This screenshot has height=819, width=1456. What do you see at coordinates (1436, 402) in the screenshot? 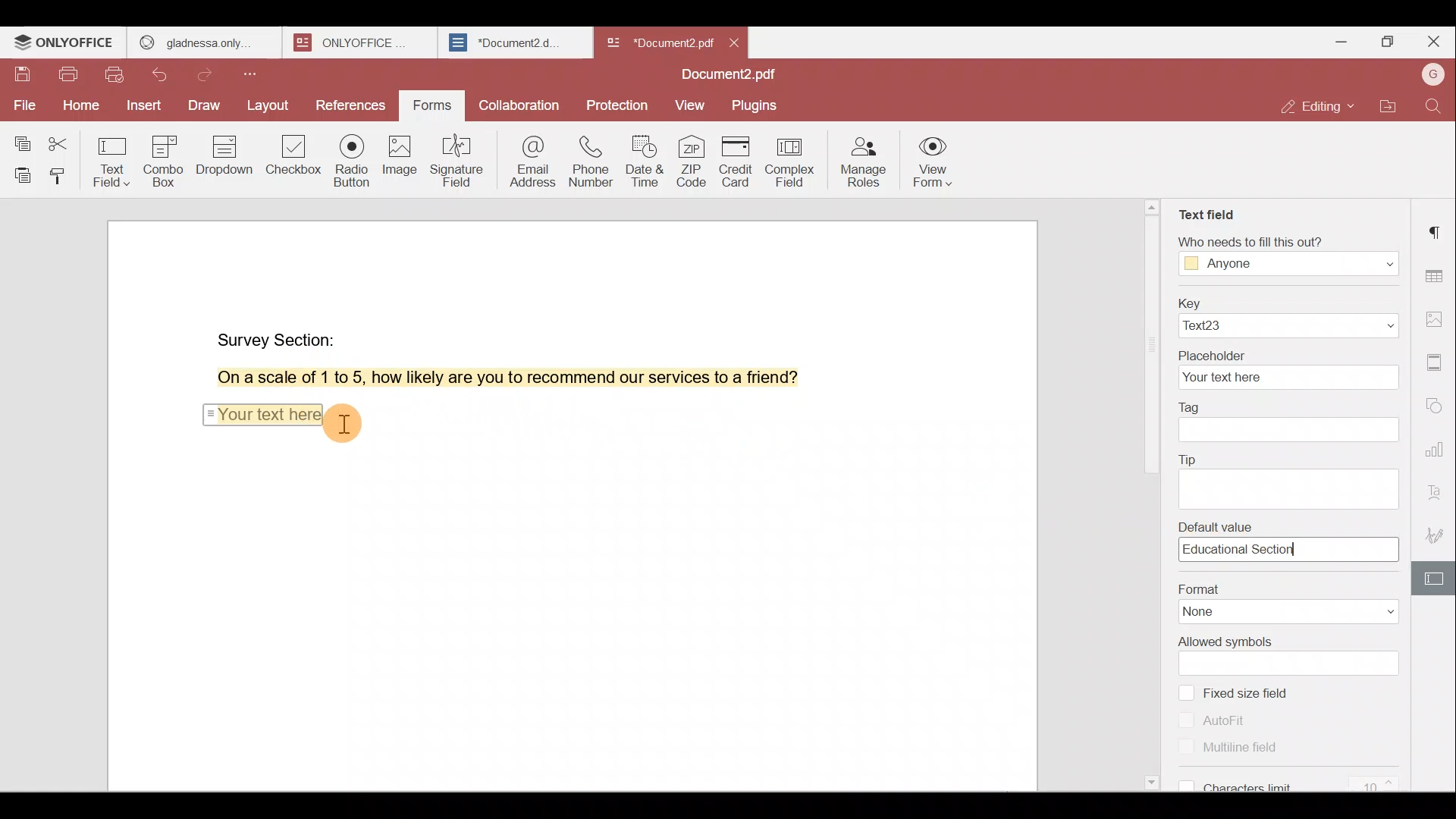
I see `Shapes settings` at bounding box center [1436, 402].